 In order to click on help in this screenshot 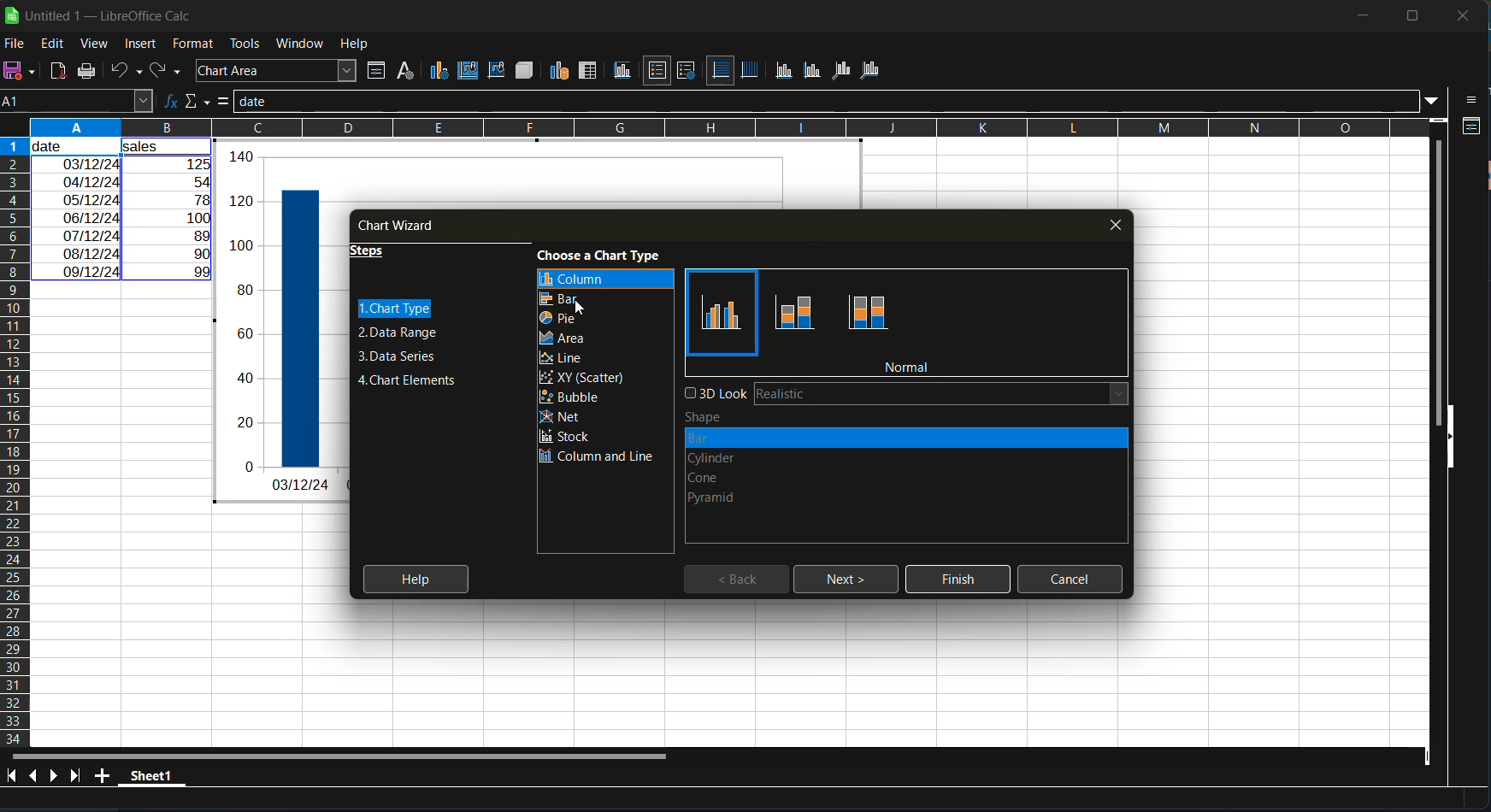, I will do `click(412, 579)`.